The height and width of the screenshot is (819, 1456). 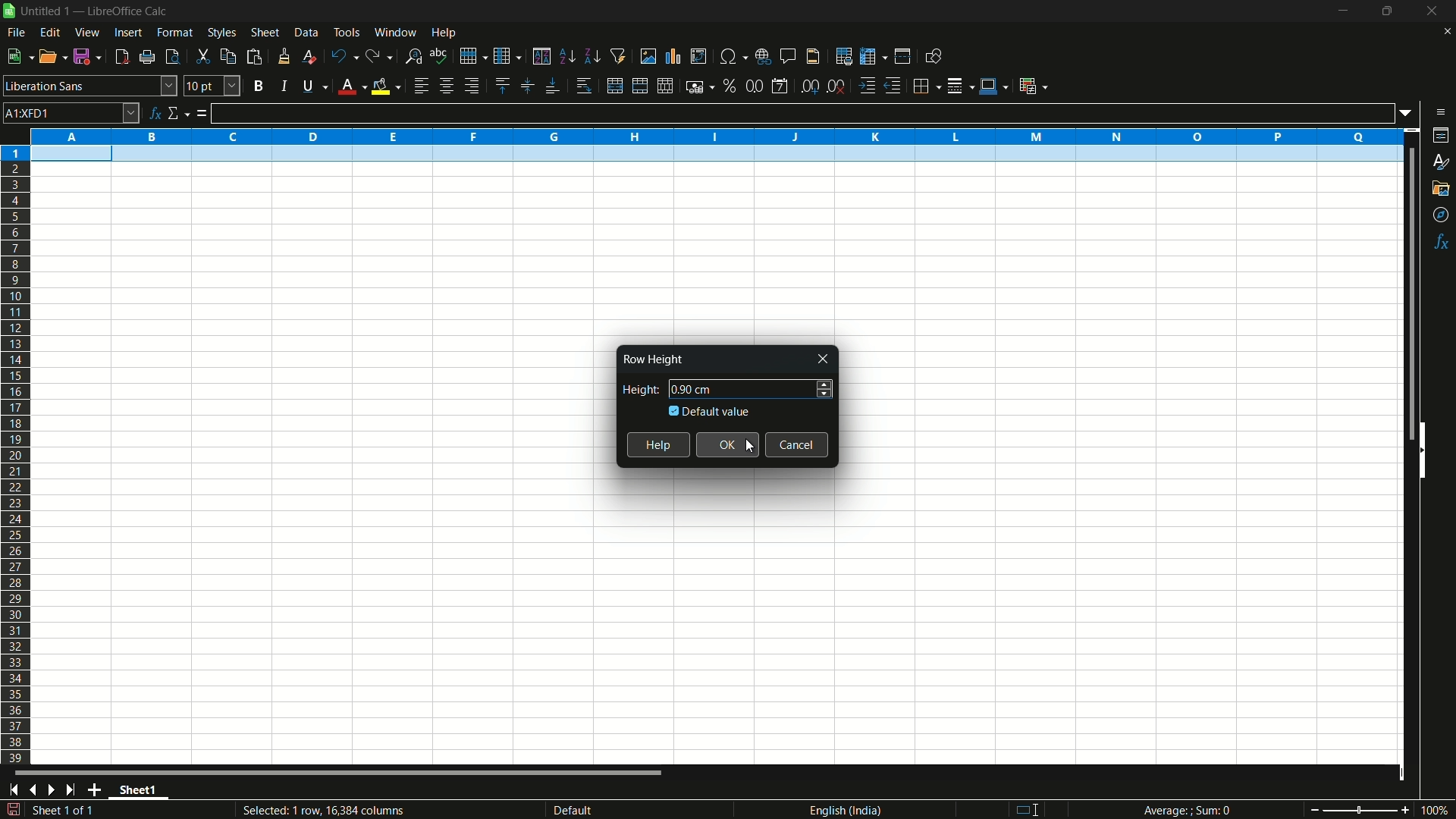 I want to click on format as currency, so click(x=700, y=86).